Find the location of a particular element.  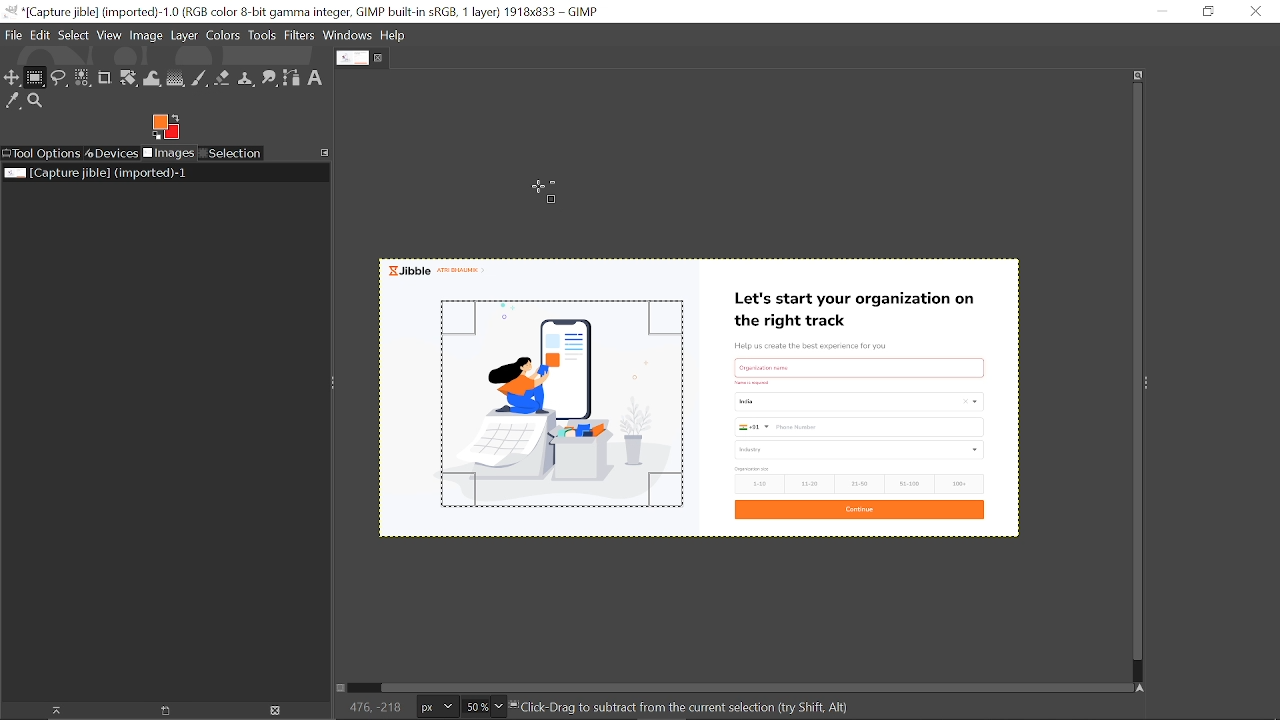

Sidebar menu is located at coordinates (1152, 384).